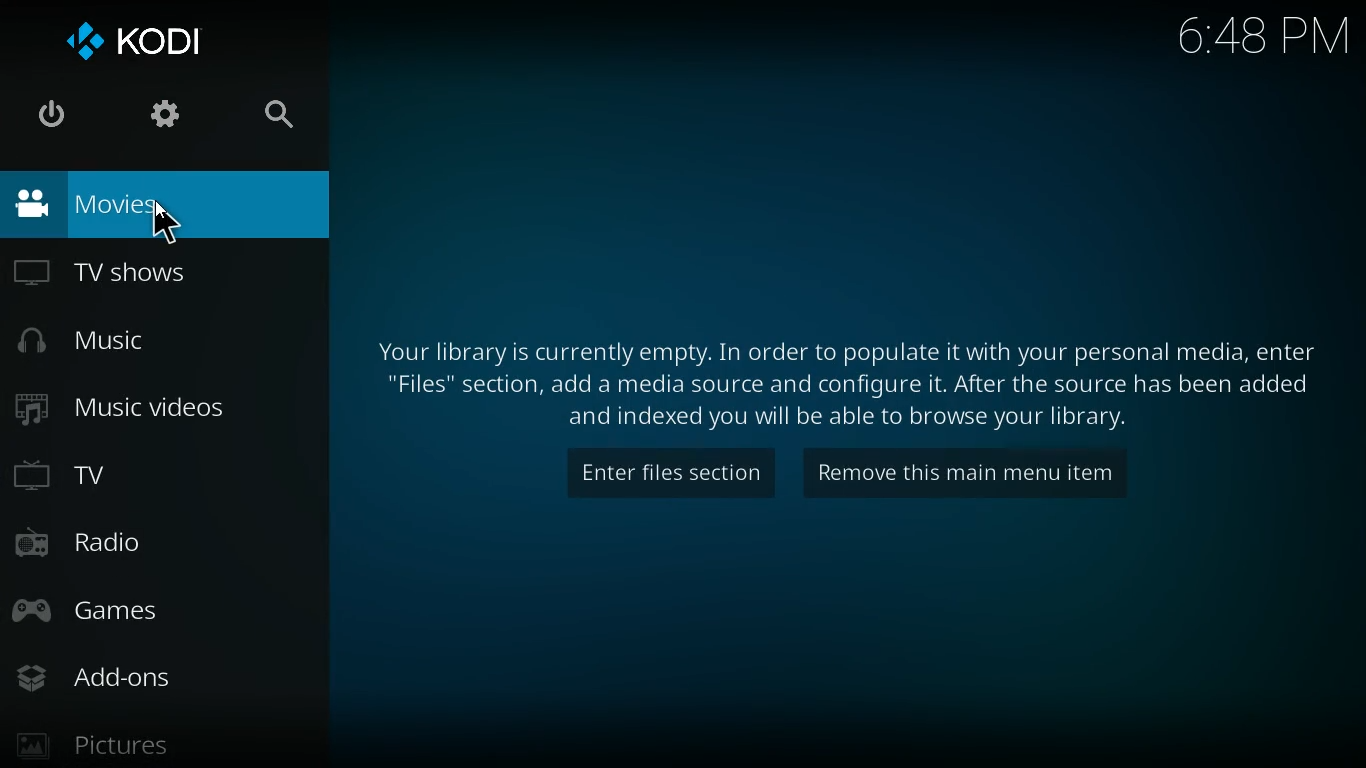  What do you see at coordinates (163, 612) in the screenshot?
I see `games` at bounding box center [163, 612].